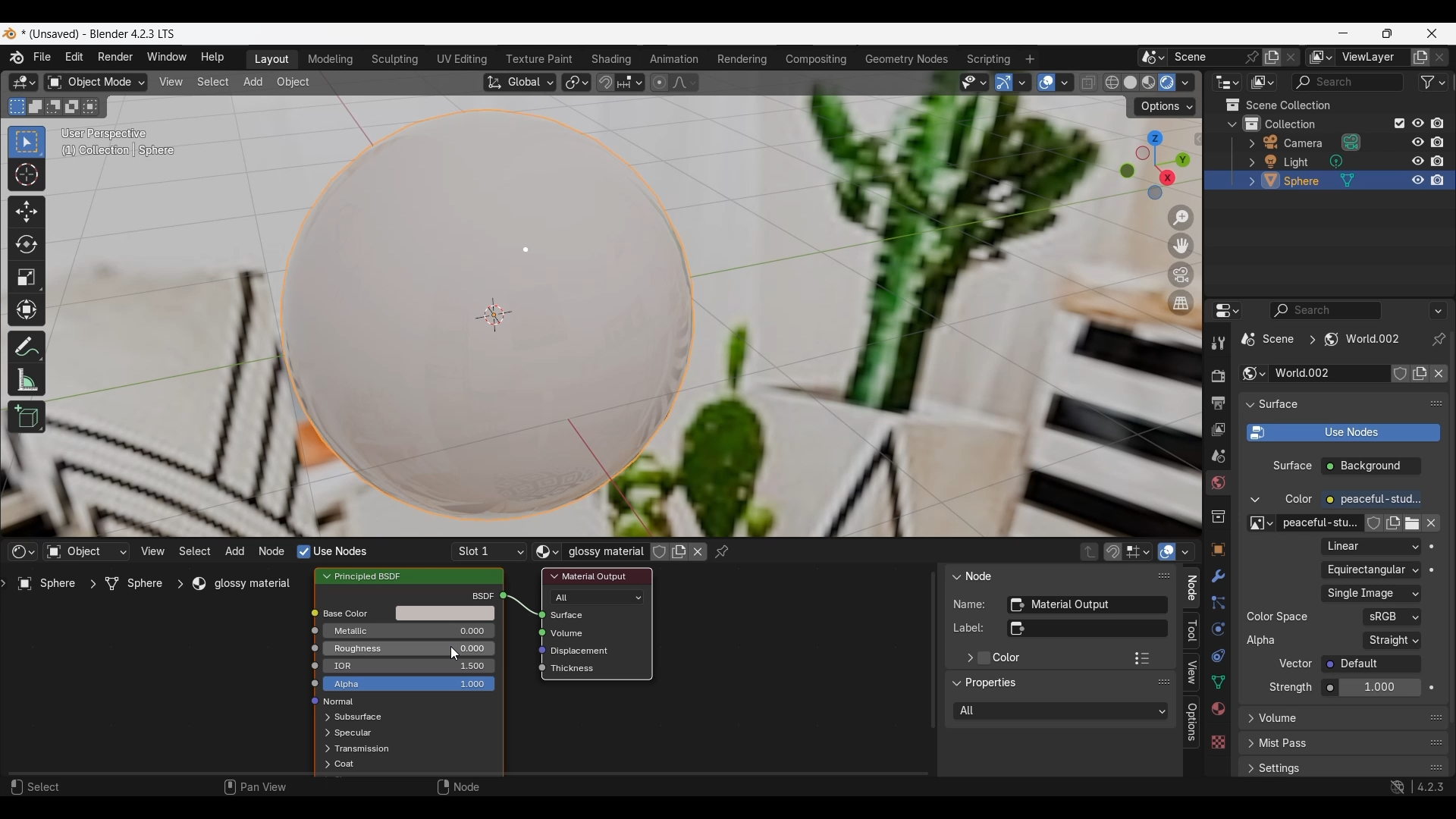  What do you see at coordinates (86, 551) in the screenshot?
I see `Type of data to take shader from` at bounding box center [86, 551].